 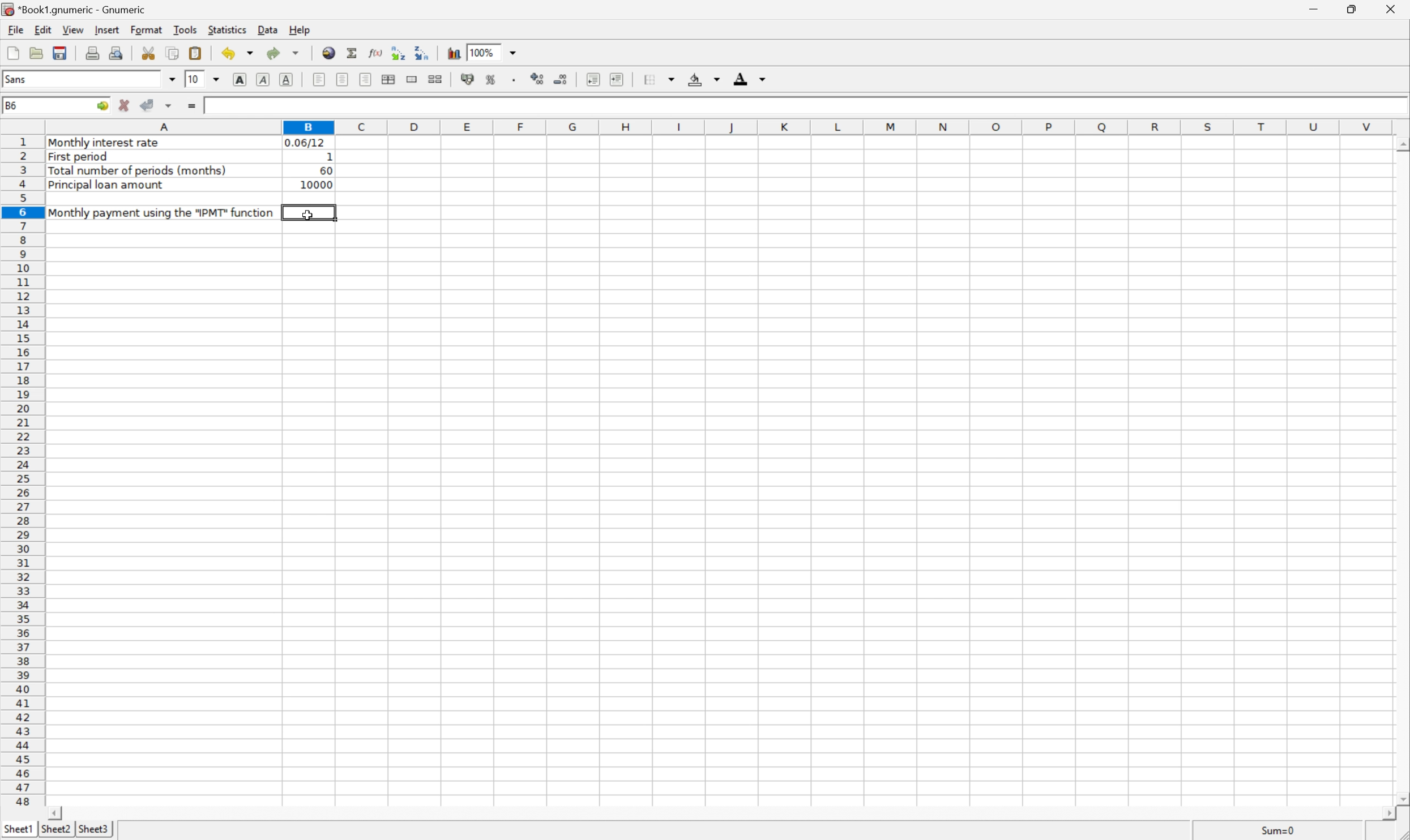 What do you see at coordinates (491, 79) in the screenshot?
I see `Format the selection as percentage` at bounding box center [491, 79].